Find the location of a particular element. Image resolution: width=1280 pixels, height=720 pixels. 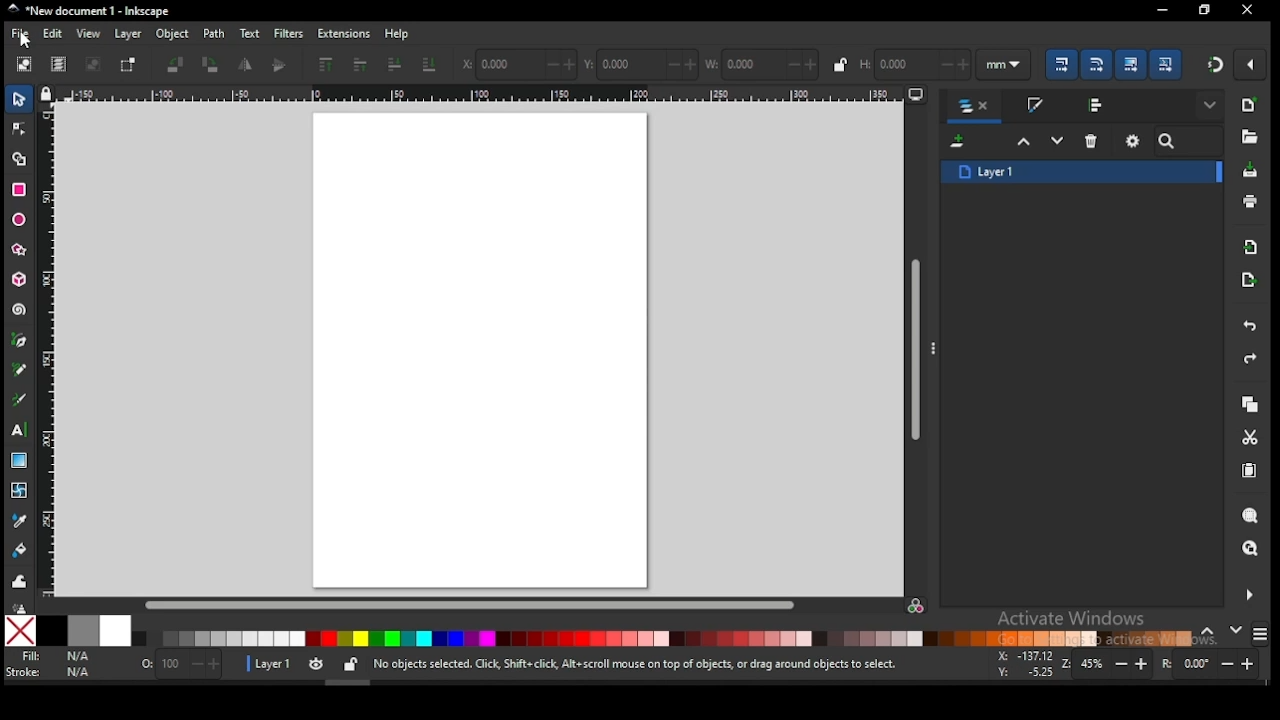

pen tool is located at coordinates (20, 341).